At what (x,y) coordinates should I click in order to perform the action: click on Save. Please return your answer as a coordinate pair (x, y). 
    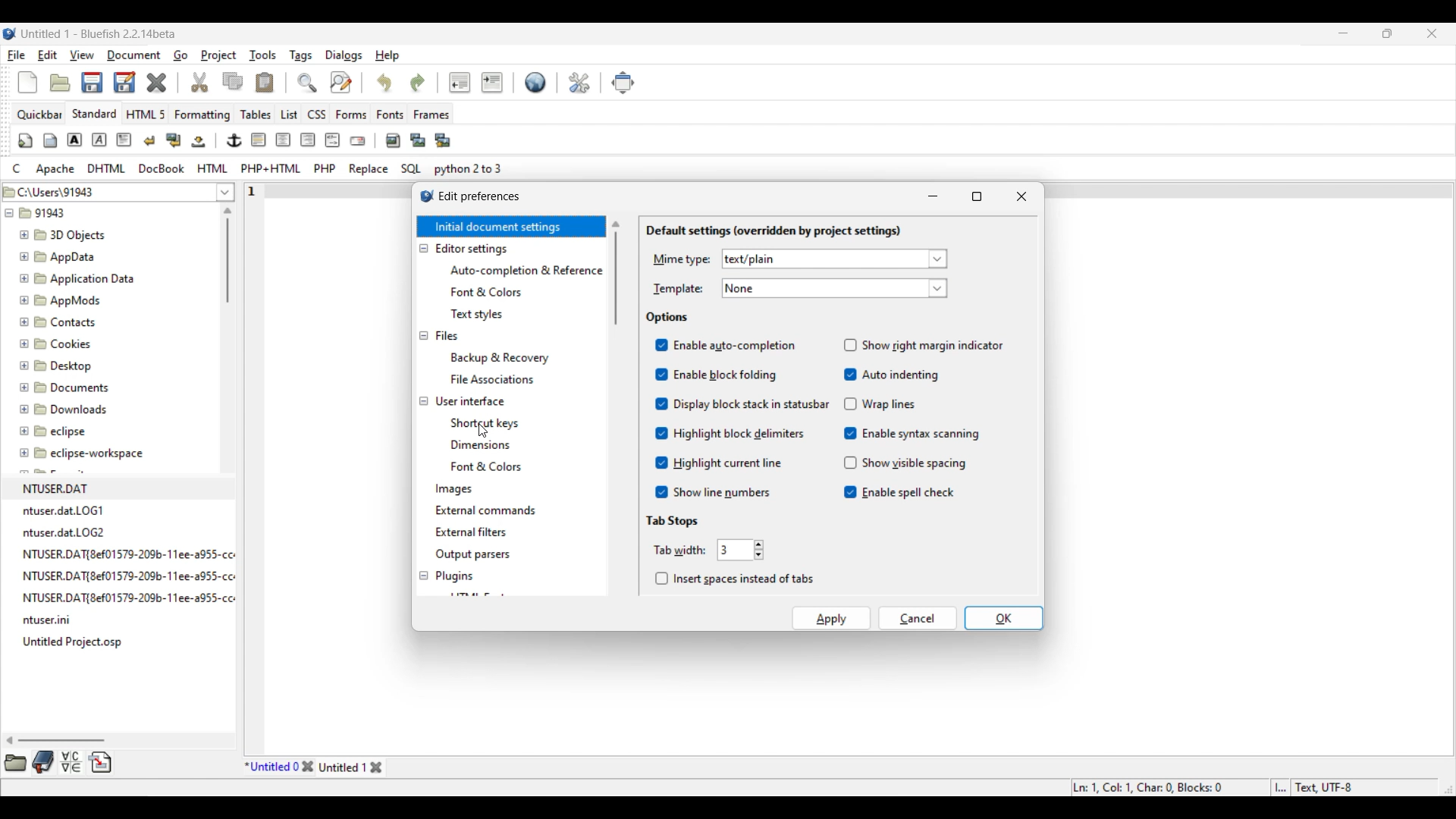
    Looking at the image, I should click on (108, 82).